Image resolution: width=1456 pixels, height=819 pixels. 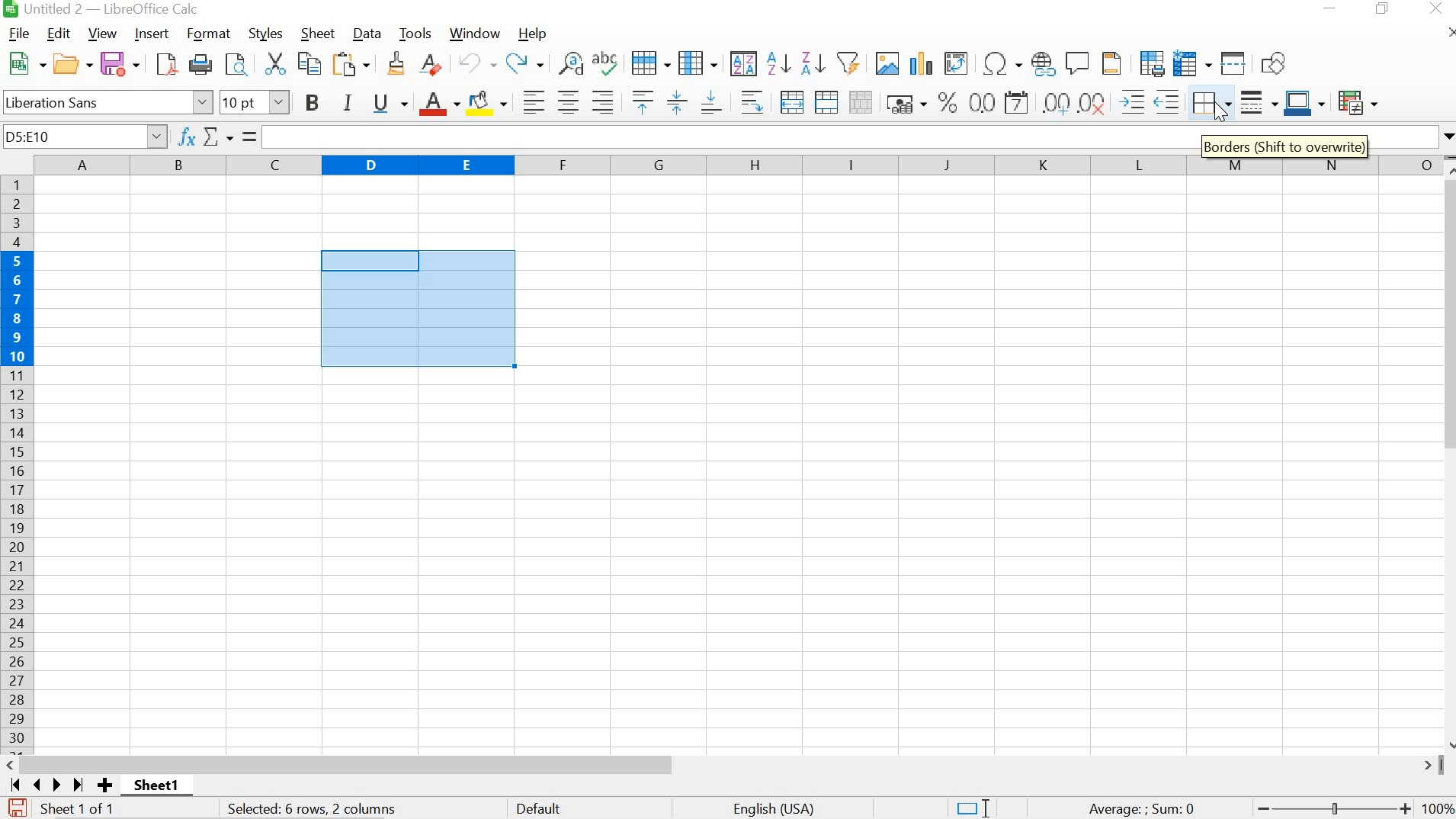 What do you see at coordinates (316, 33) in the screenshot?
I see `SHEET` at bounding box center [316, 33].